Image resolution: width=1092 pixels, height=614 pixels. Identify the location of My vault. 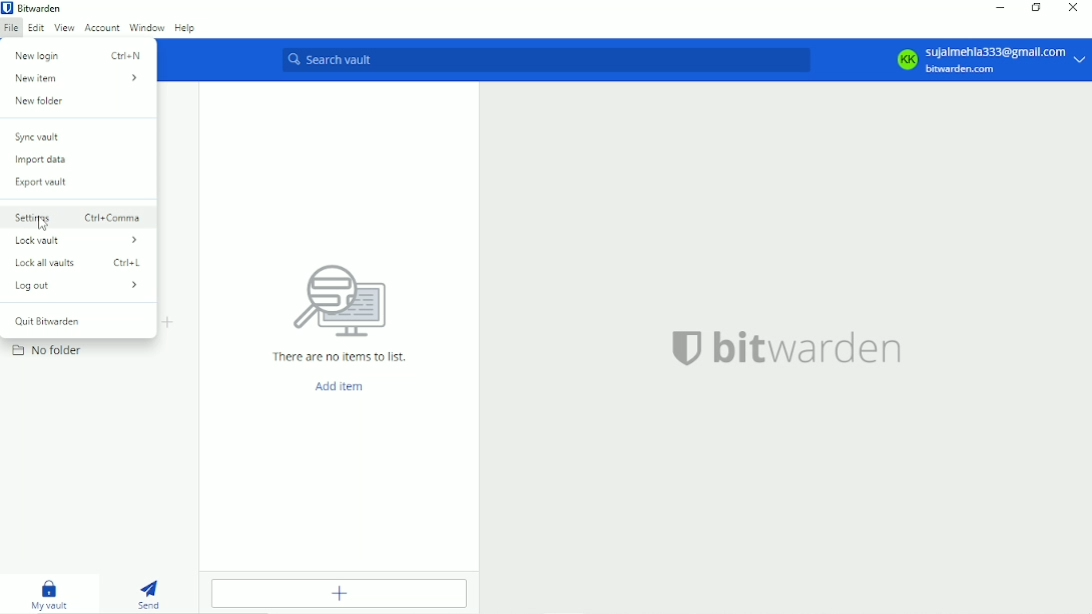
(47, 593).